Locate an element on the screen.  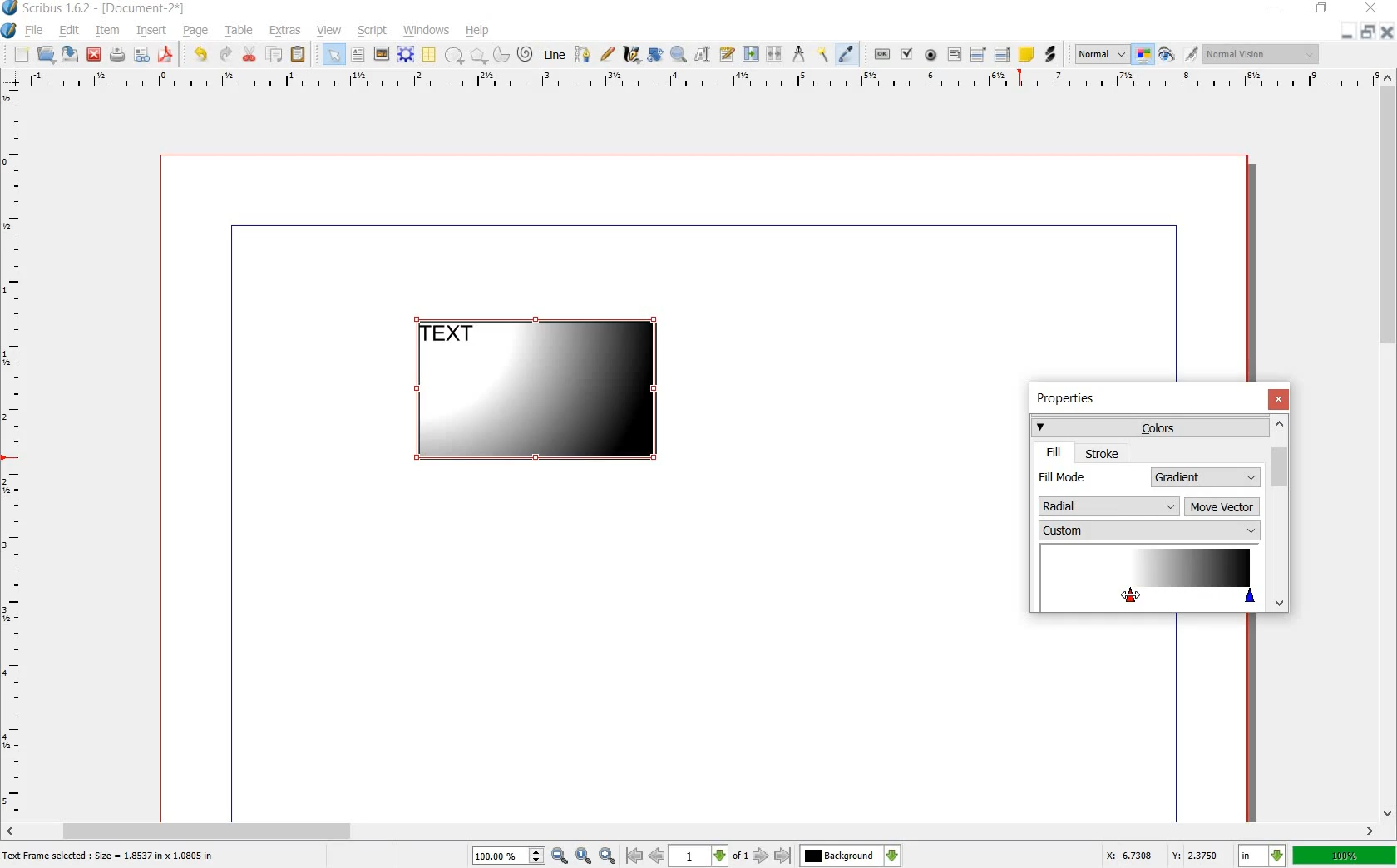
edit in preview mode is located at coordinates (1192, 55).